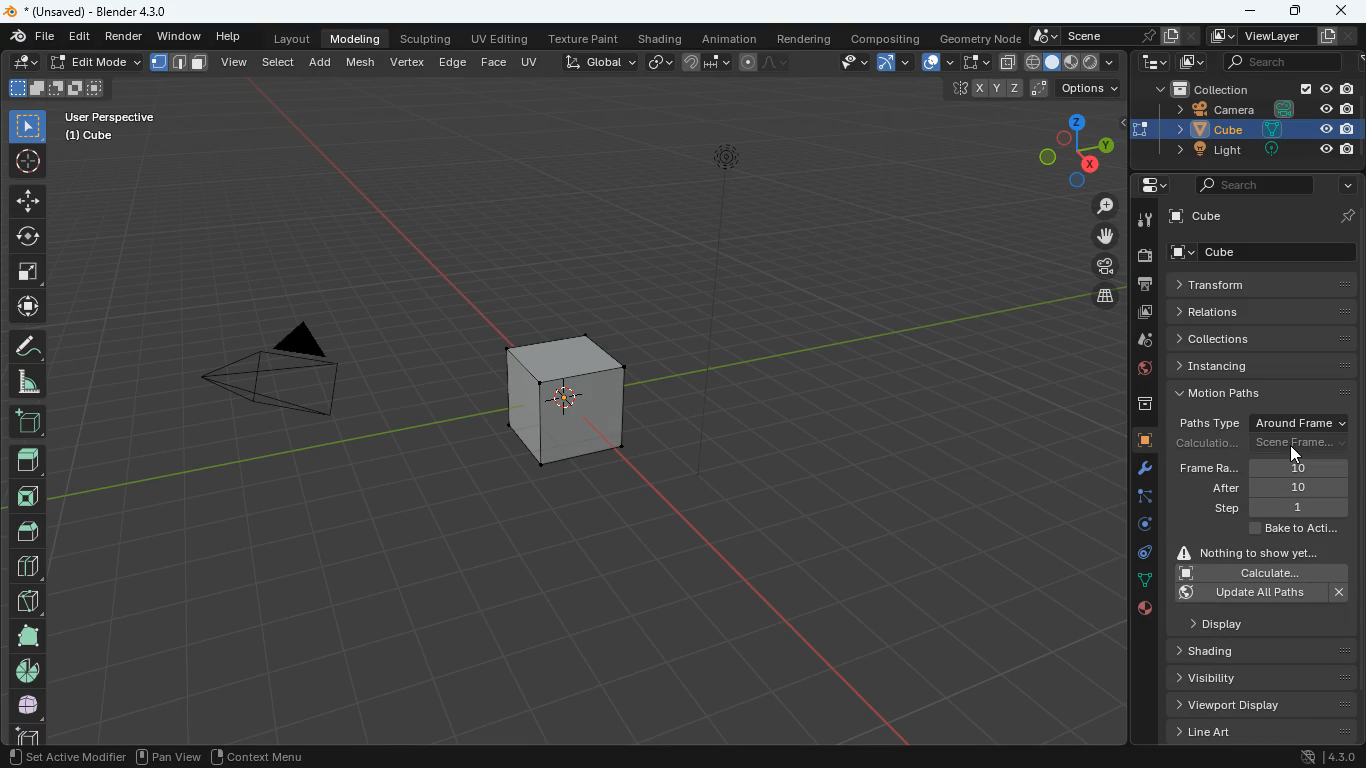  Describe the element at coordinates (1260, 732) in the screenshot. I see `Line art` at that location.